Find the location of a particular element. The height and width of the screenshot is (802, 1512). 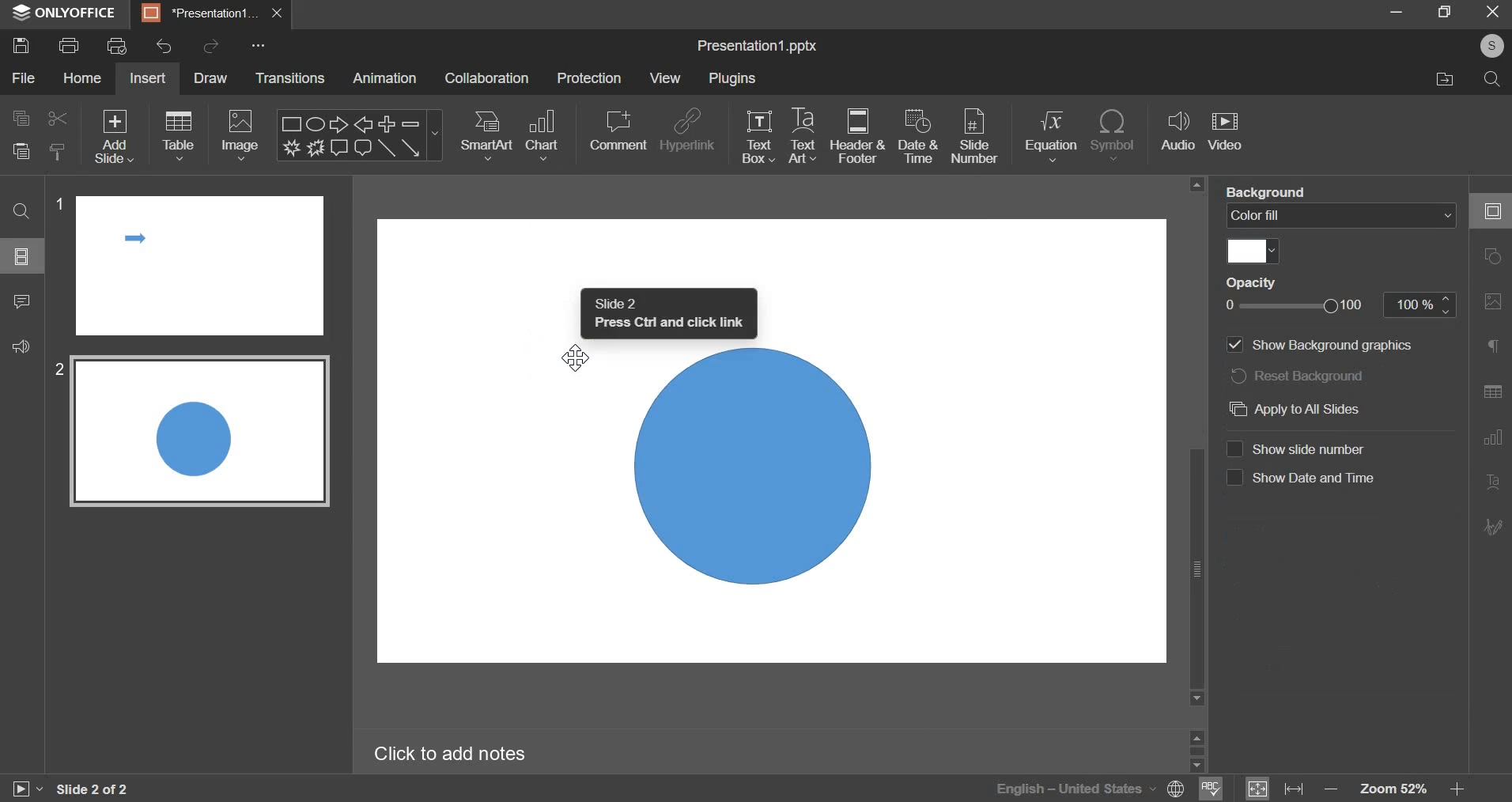

view is located at coordinates (665, 79).